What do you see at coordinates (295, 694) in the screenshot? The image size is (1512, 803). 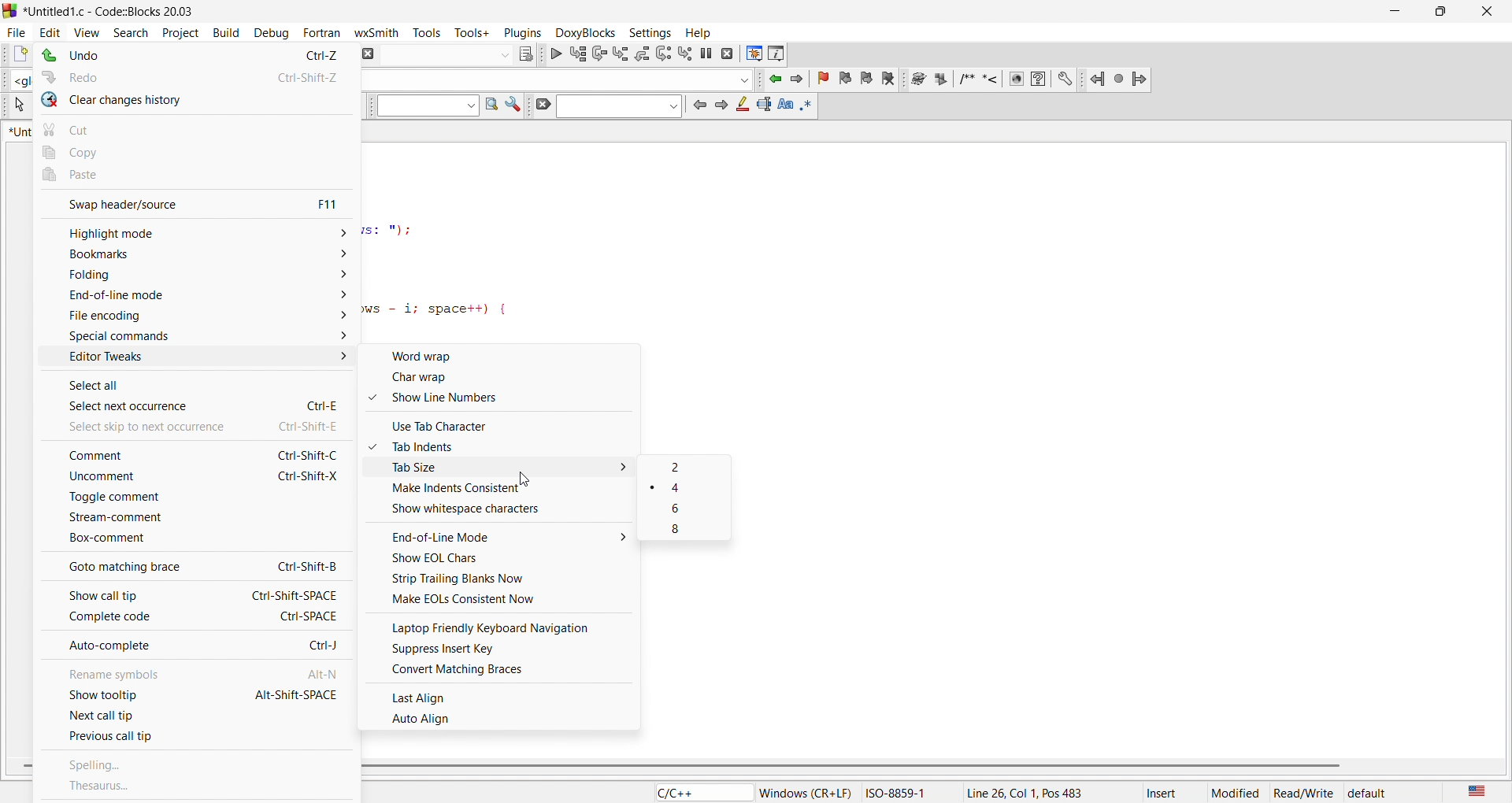 I see `Alt-Shift-SPACE` at bounding box center [295, 694].